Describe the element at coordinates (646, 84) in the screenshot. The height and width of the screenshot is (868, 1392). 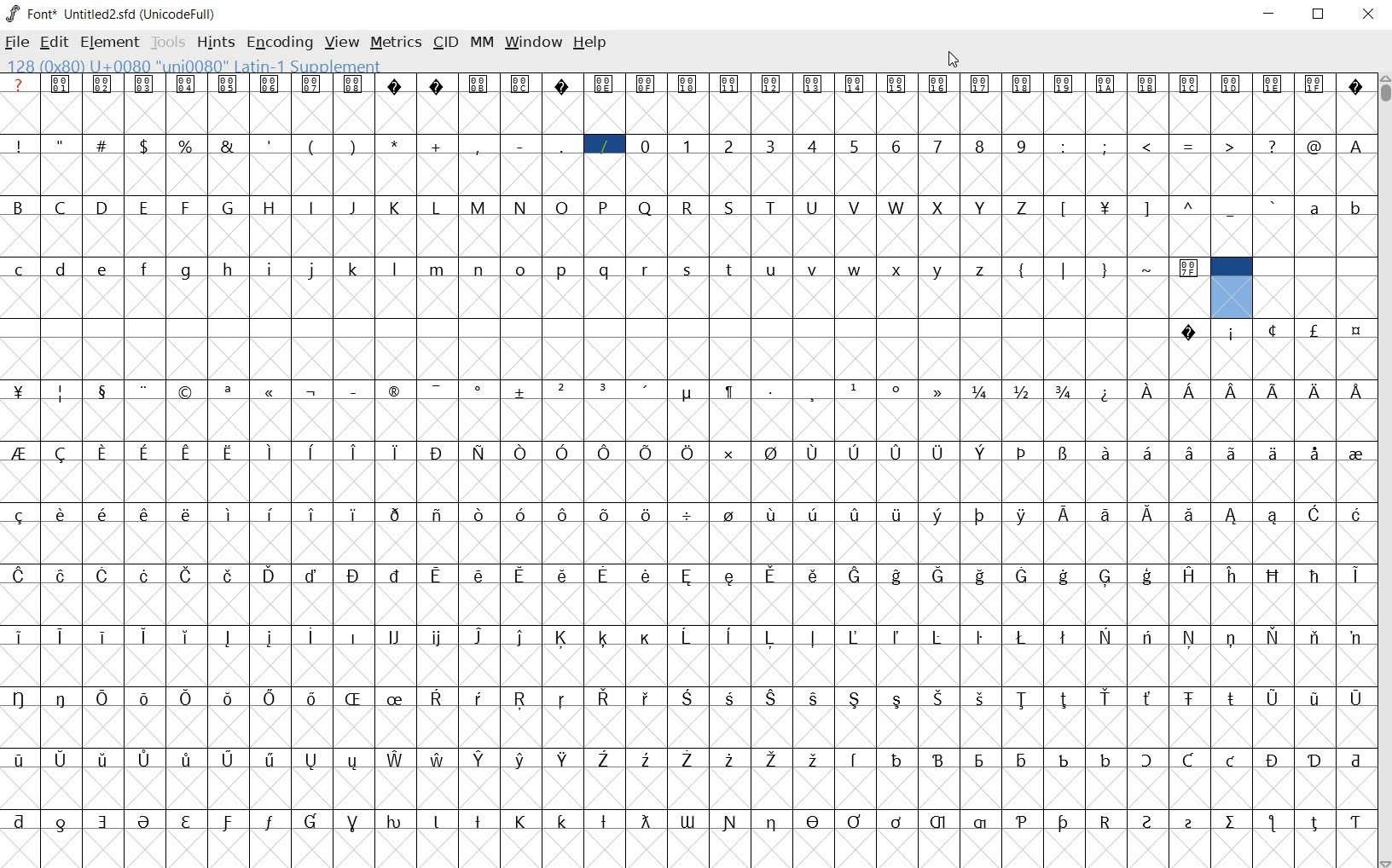
I see `Symbol` at that location.